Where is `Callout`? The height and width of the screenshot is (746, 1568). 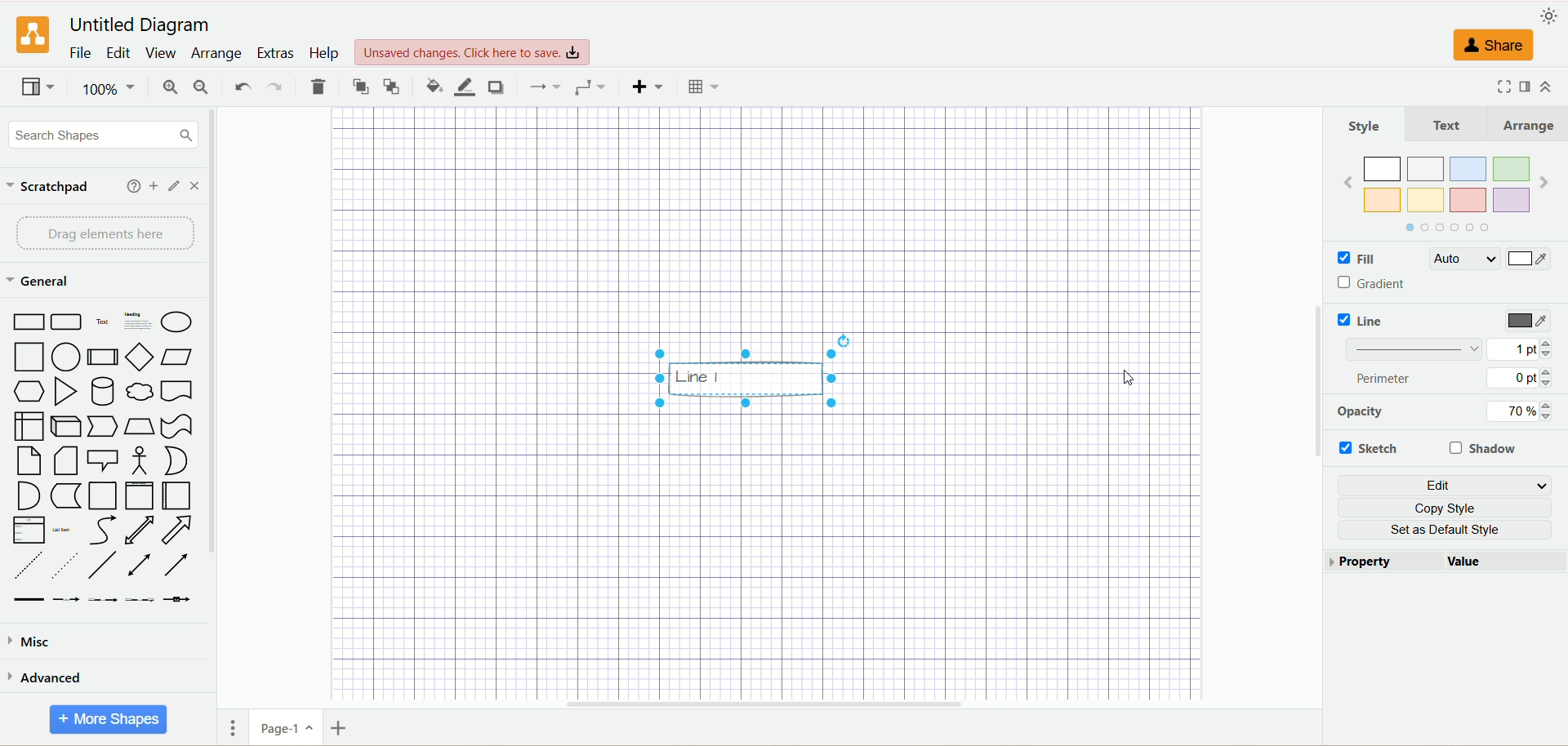
Callout is located at coordinates (104, 460).